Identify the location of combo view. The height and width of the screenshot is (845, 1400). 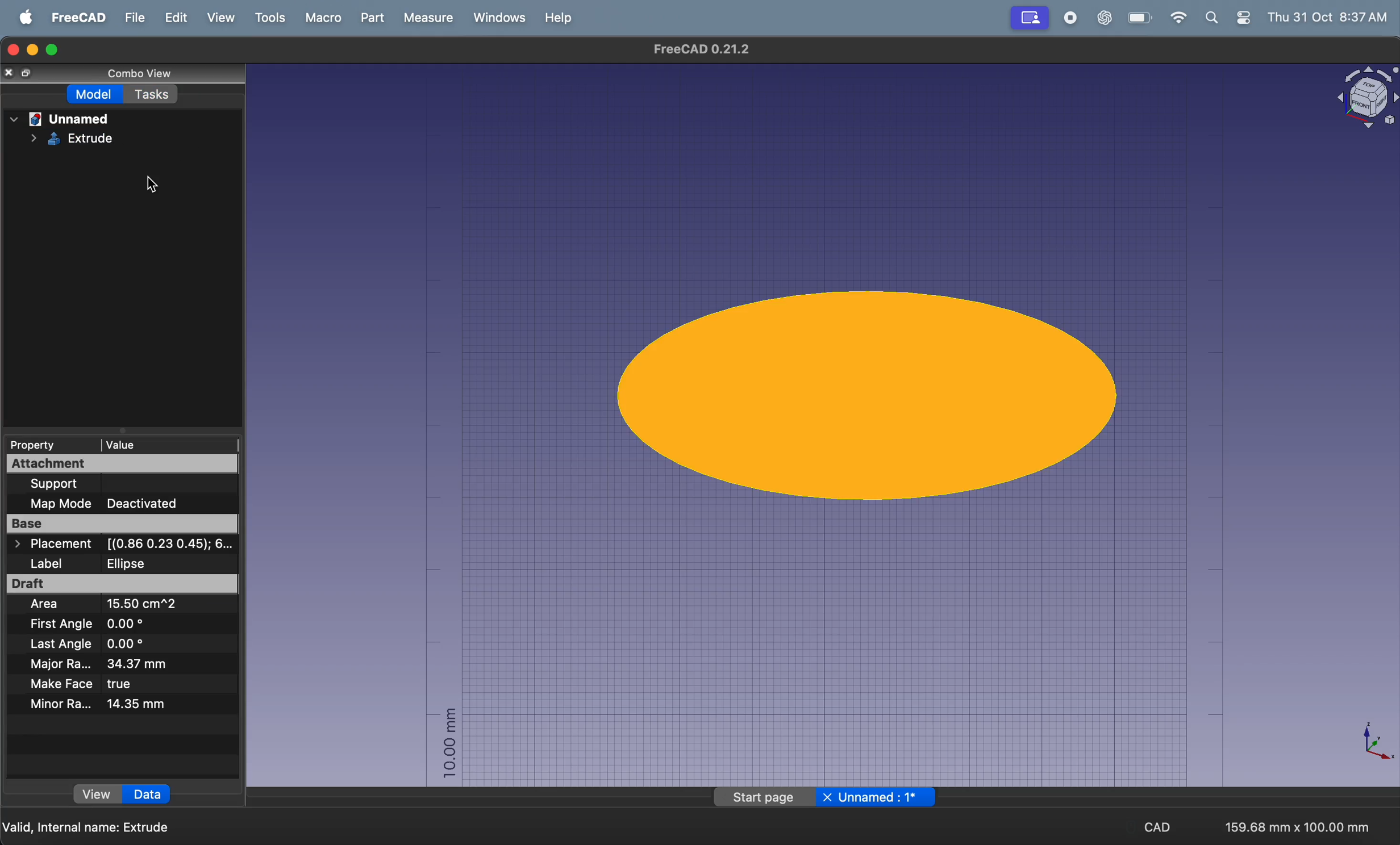
(152, 76).